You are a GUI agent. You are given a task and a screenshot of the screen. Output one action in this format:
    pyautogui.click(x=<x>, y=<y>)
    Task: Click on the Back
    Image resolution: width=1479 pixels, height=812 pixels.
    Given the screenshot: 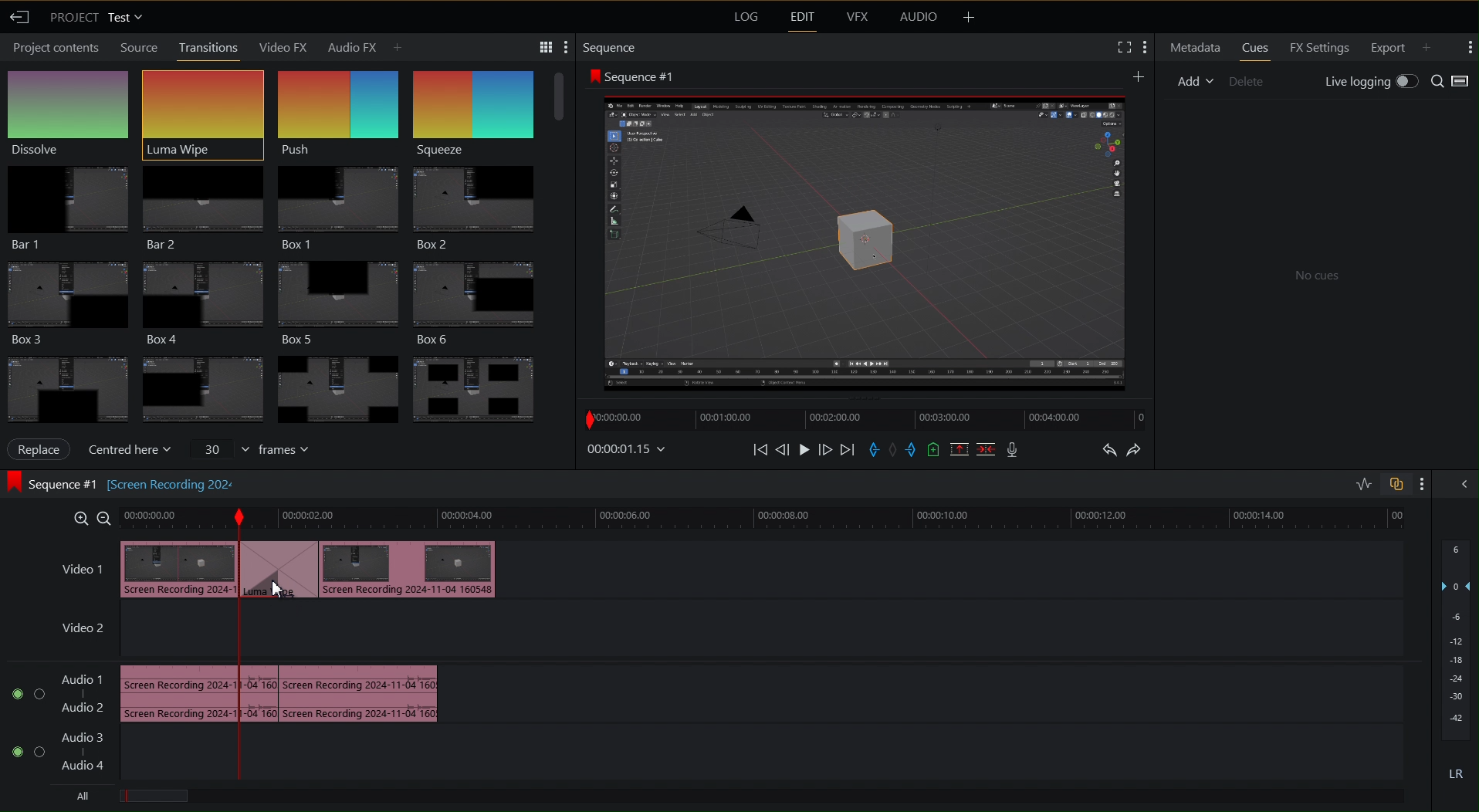 What is the action you would take?
    pyautogui.click(x=22, y=18)
    